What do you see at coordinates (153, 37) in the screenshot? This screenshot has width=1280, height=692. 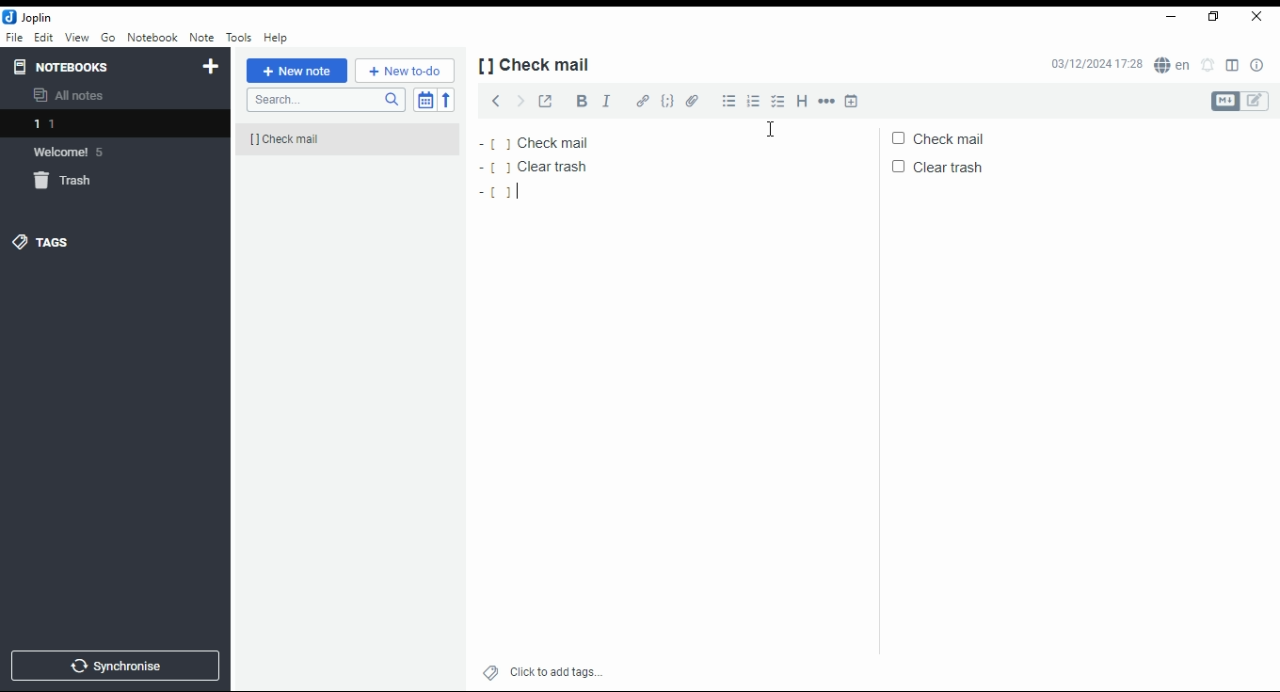 I see `notebook` at bounding box center [153, 37].